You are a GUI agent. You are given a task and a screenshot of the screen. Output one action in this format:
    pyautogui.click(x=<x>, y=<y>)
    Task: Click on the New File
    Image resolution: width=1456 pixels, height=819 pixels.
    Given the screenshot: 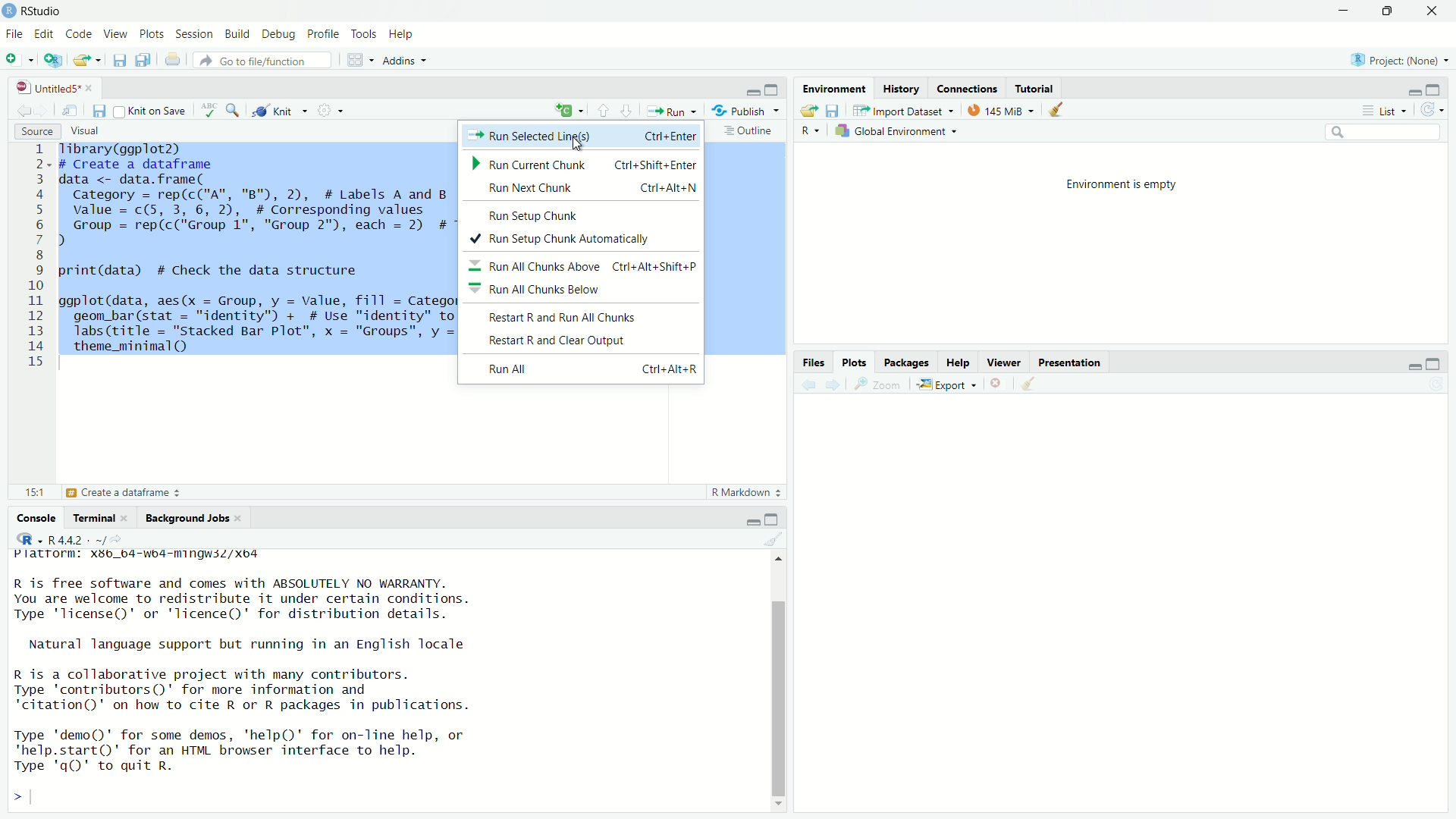 What is the action you would take?
    pyautogui.click(x=21, y=60)
    